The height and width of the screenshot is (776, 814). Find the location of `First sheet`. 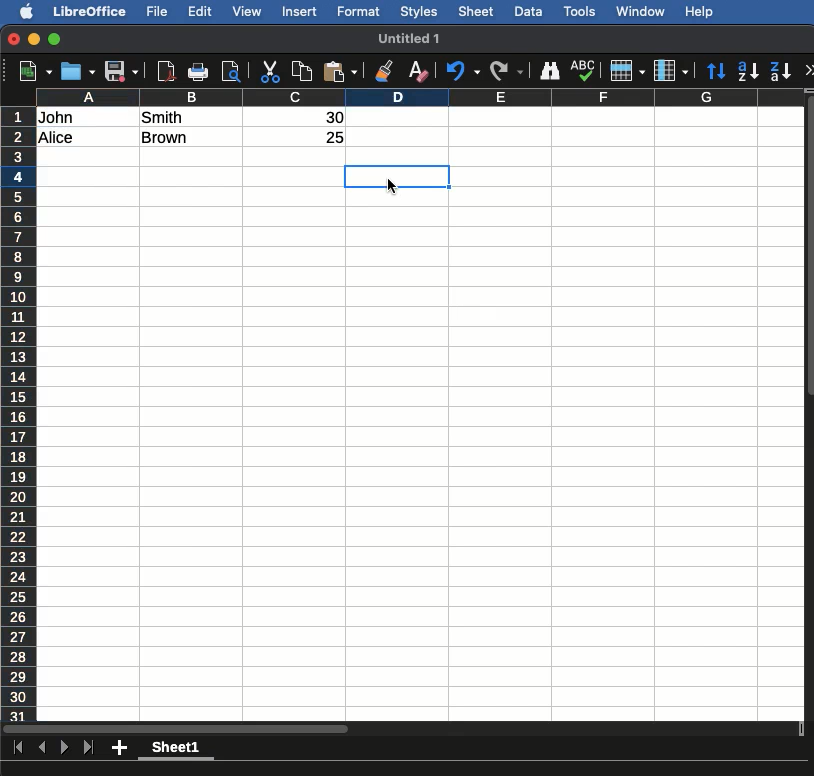

First sheet is located at coordinates (20, 747).